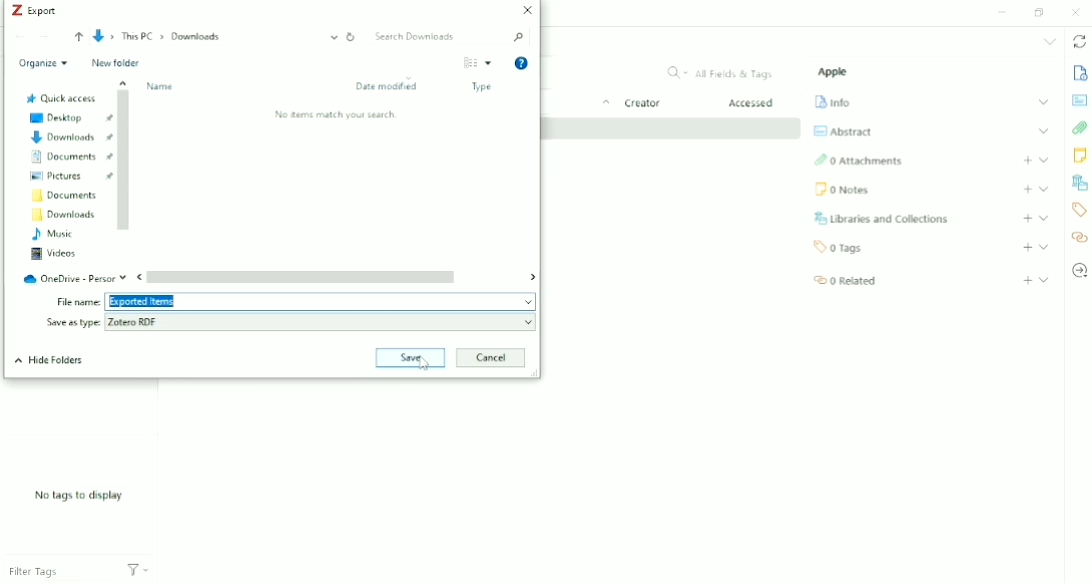 Image resolution: width=1092 pixels, height=584 pixels. Describe the element at coordinates (1044, 279) in the screenshot. I see `Expand section` at that location.